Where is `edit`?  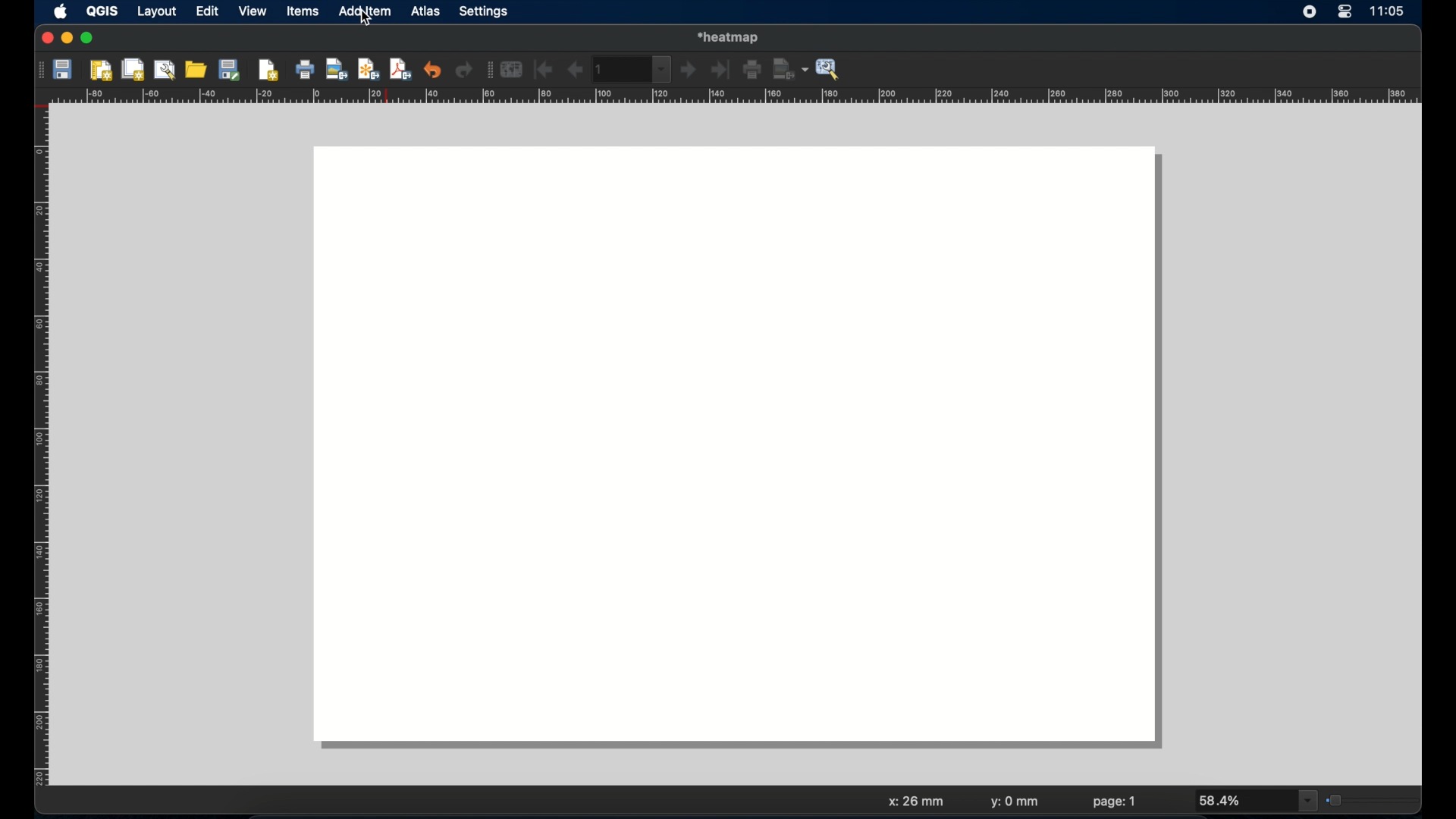
edit is located at coordinates (207, 12).